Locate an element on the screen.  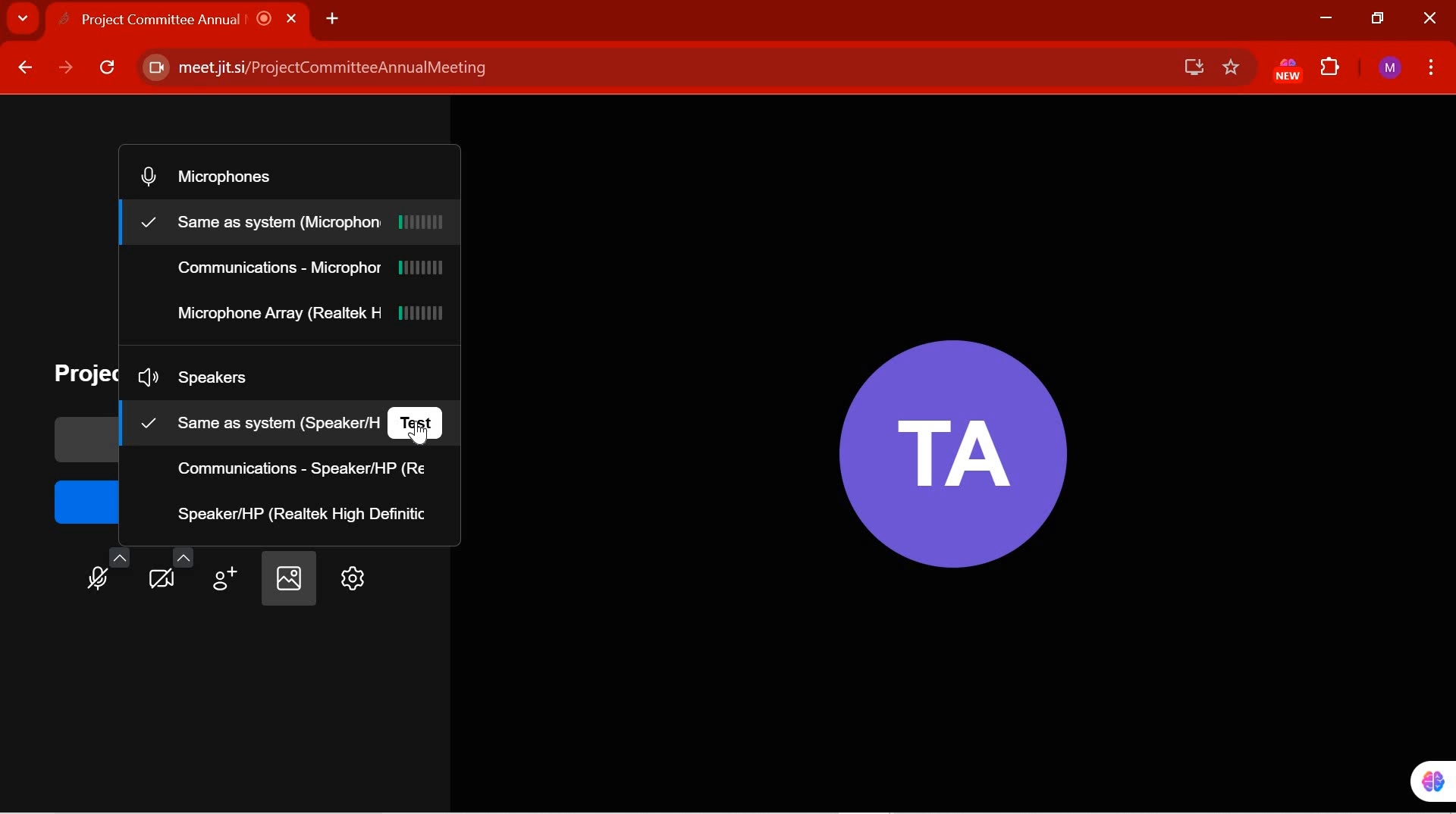
select background is located at coordinates (287, 579).